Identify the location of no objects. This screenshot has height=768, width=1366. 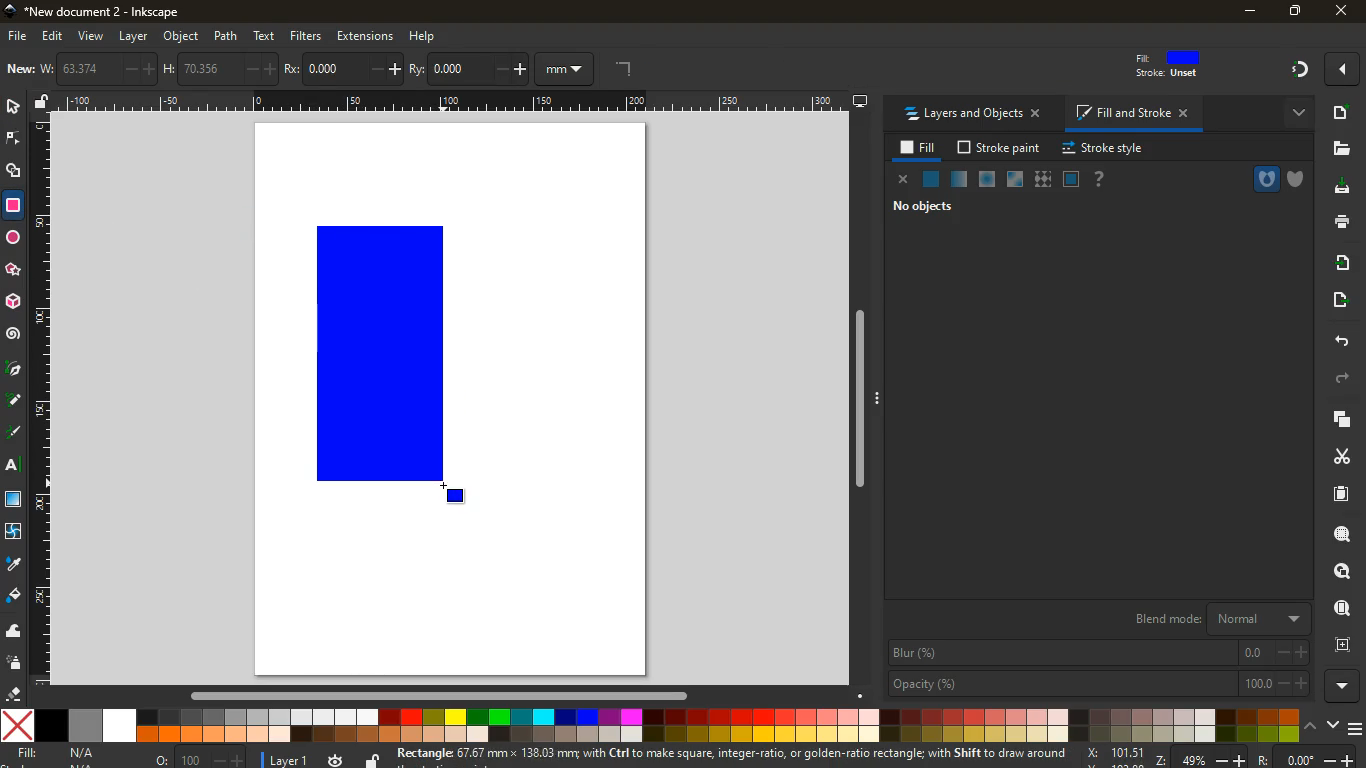
(931, 208).